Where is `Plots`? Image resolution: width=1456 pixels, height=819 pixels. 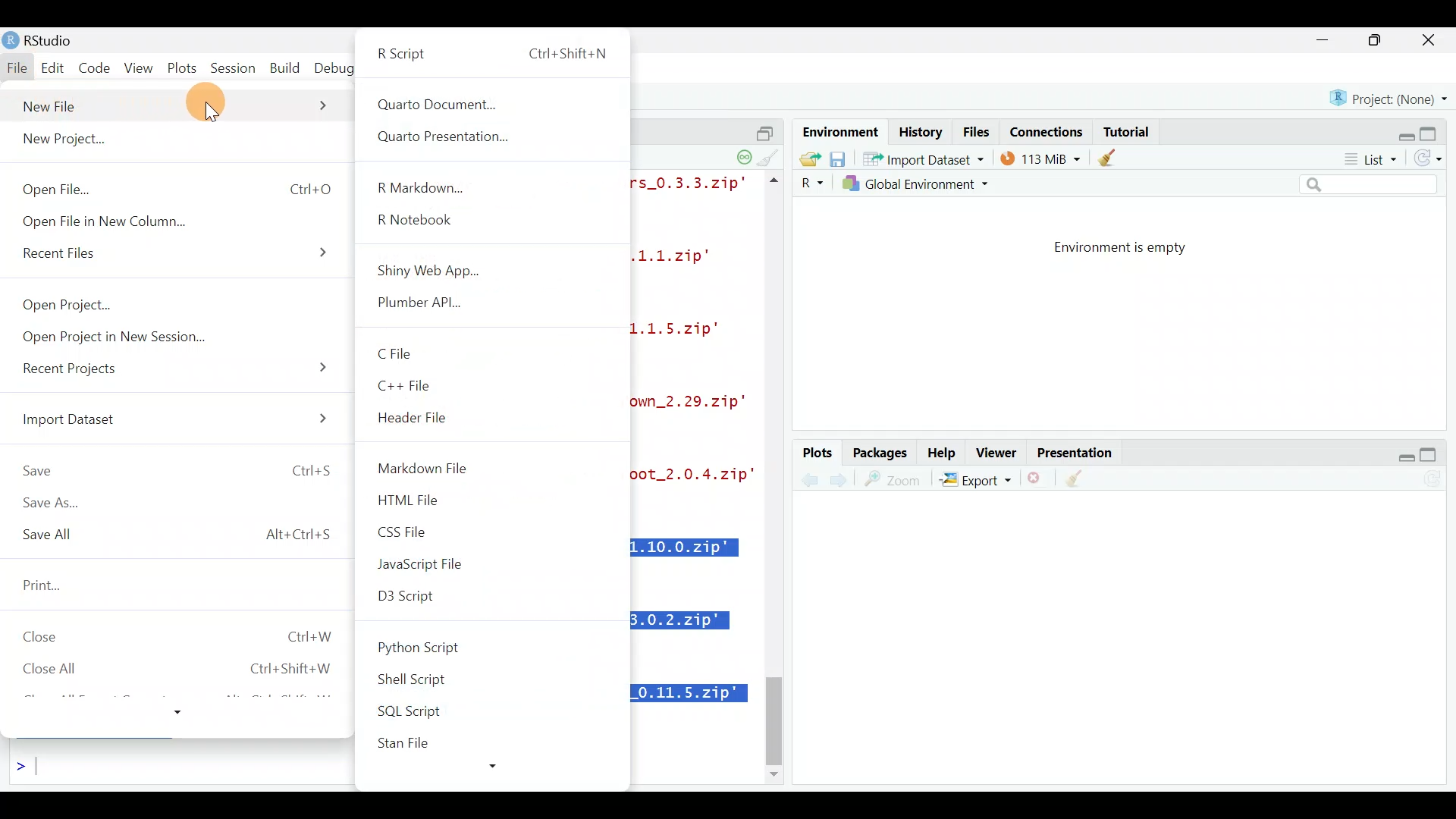
Plots is located at coordinates (183, 65).